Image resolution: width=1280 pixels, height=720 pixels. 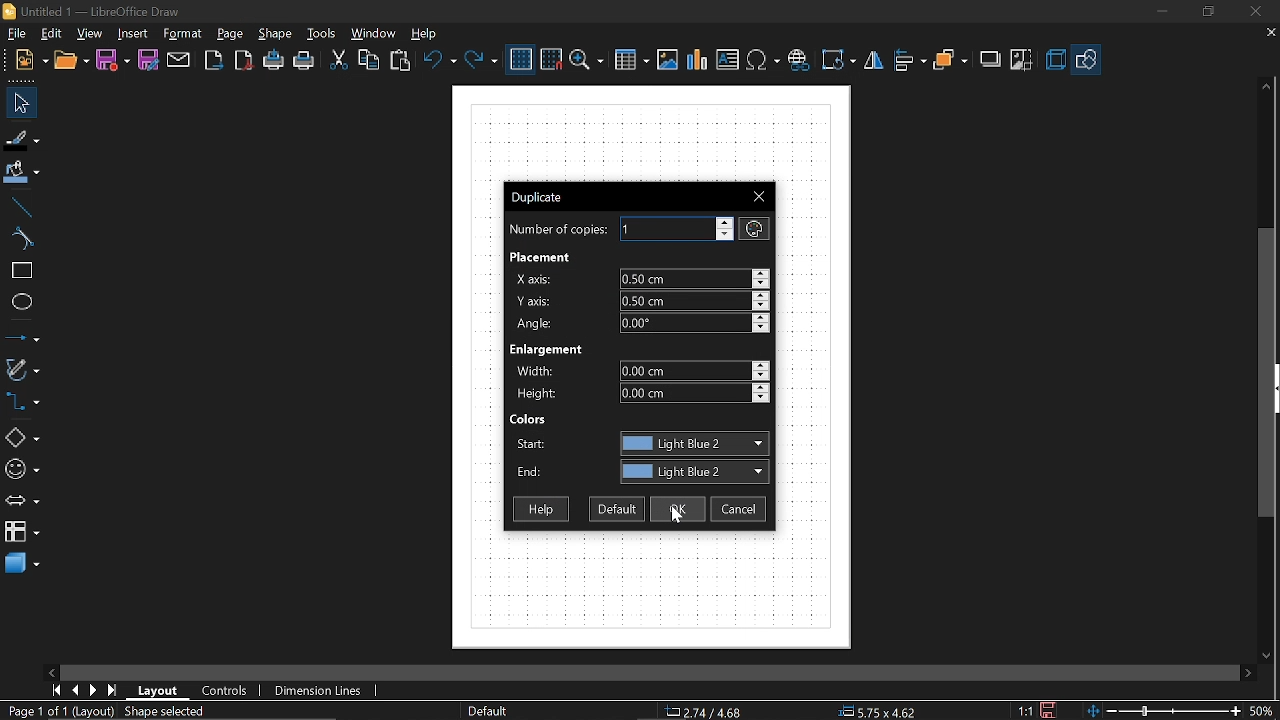 I want to click on Arrange, so click(x=950, y=62).